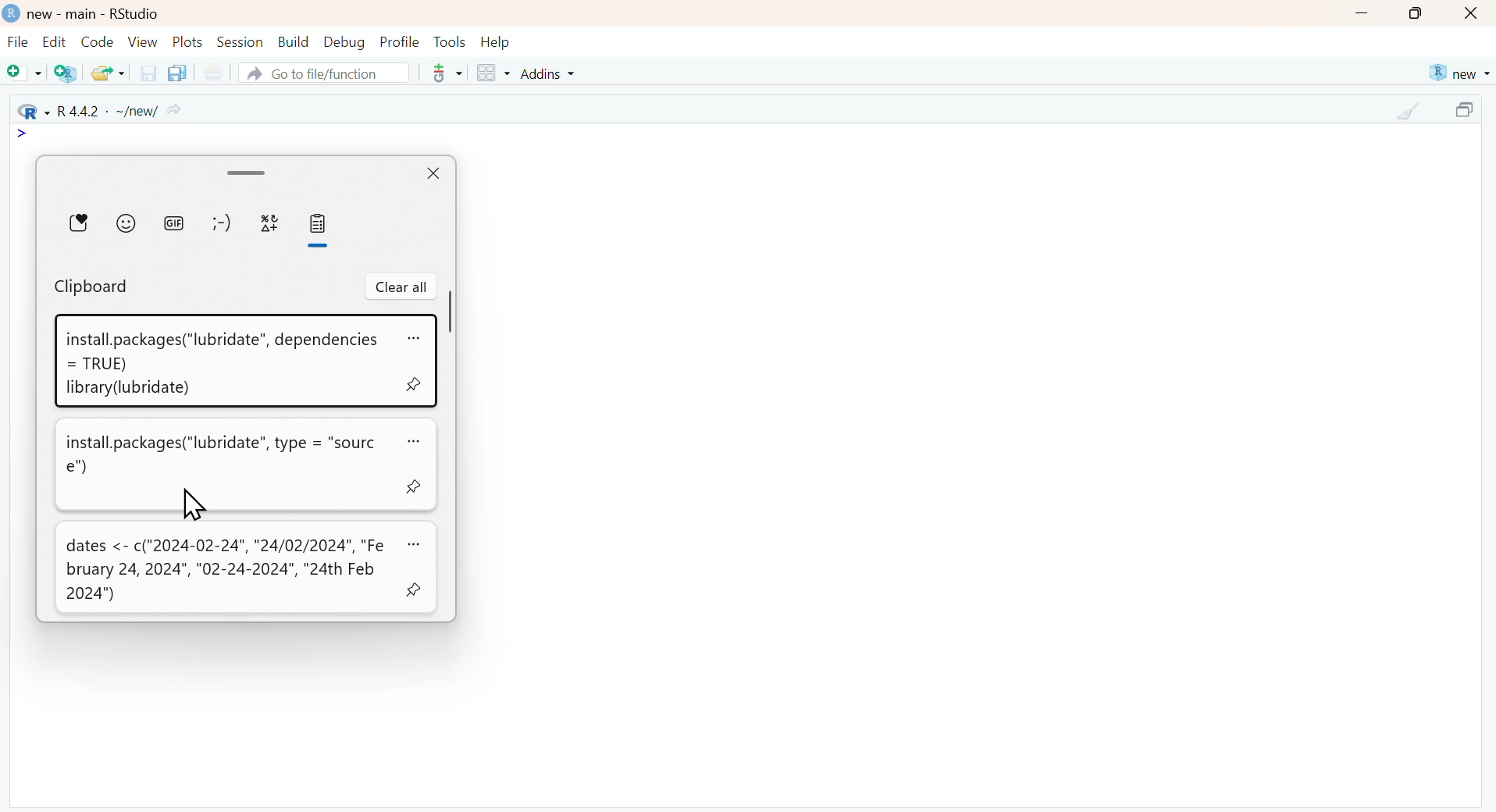  I want to click on Clear all, so click(401, 287).